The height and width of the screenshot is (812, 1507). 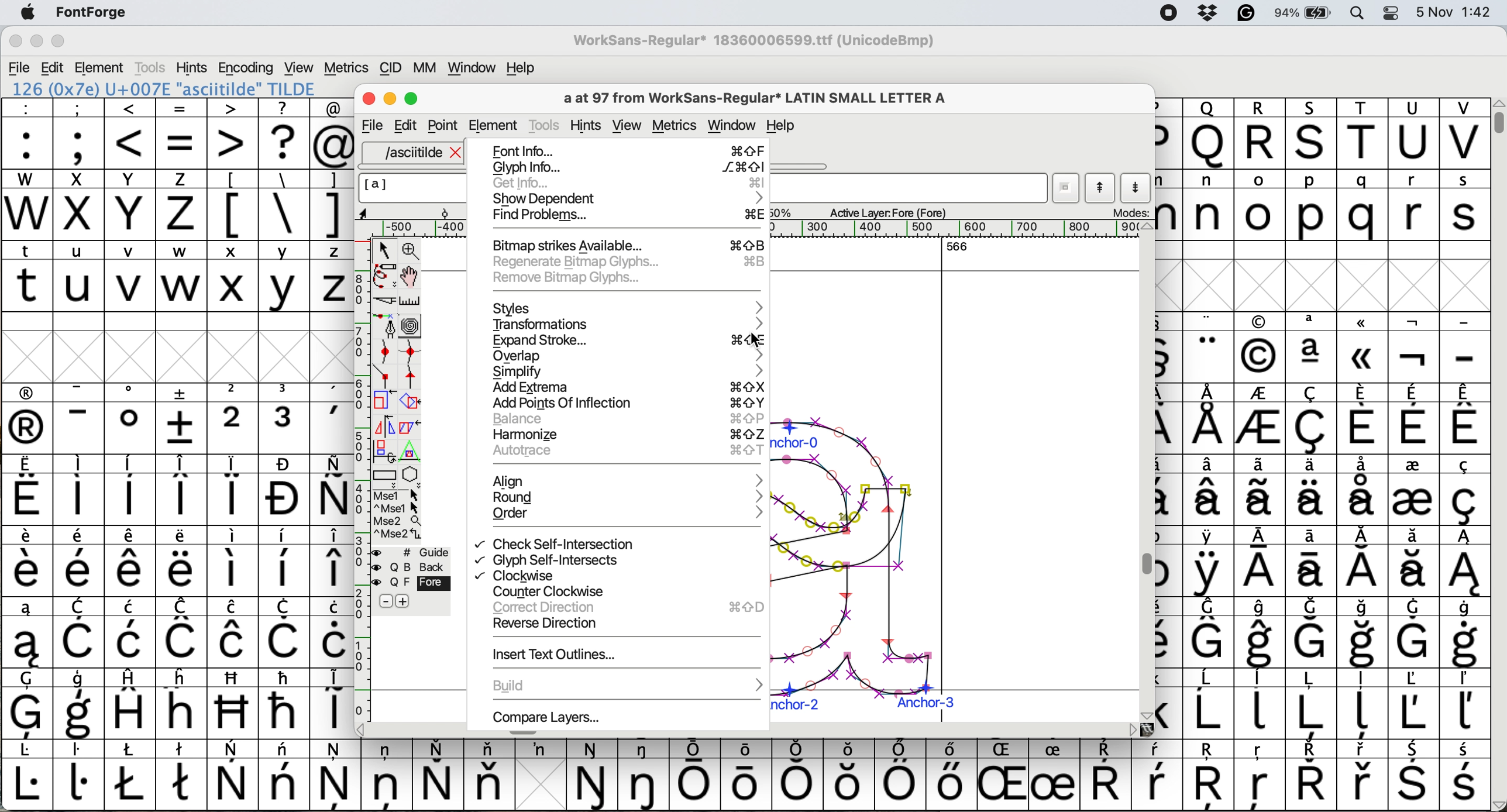 I want to click on current word list, so click(x=1066, y=190).